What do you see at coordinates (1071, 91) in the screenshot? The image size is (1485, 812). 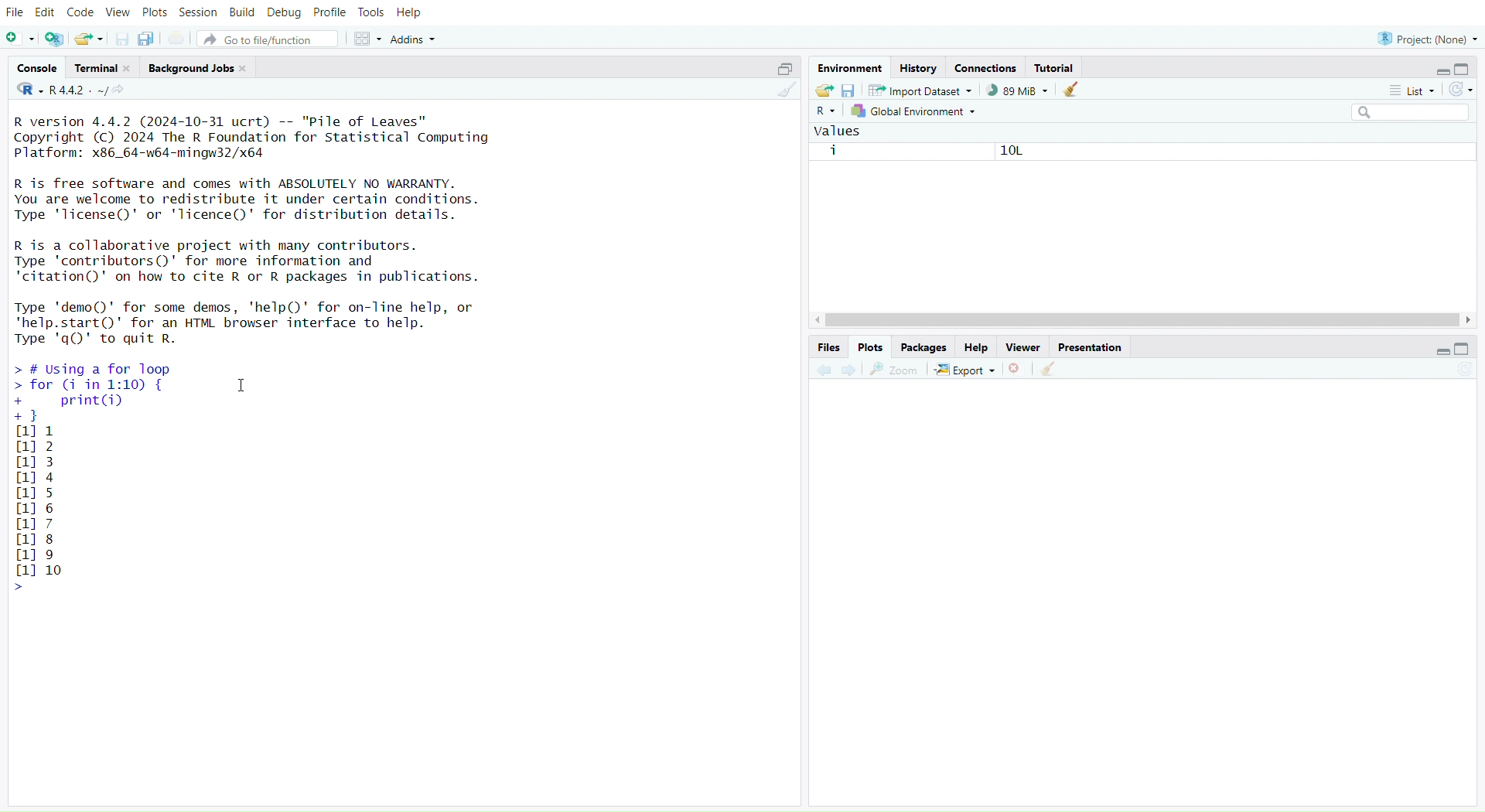 I see `clear object` at bounding box center [1071, 91].